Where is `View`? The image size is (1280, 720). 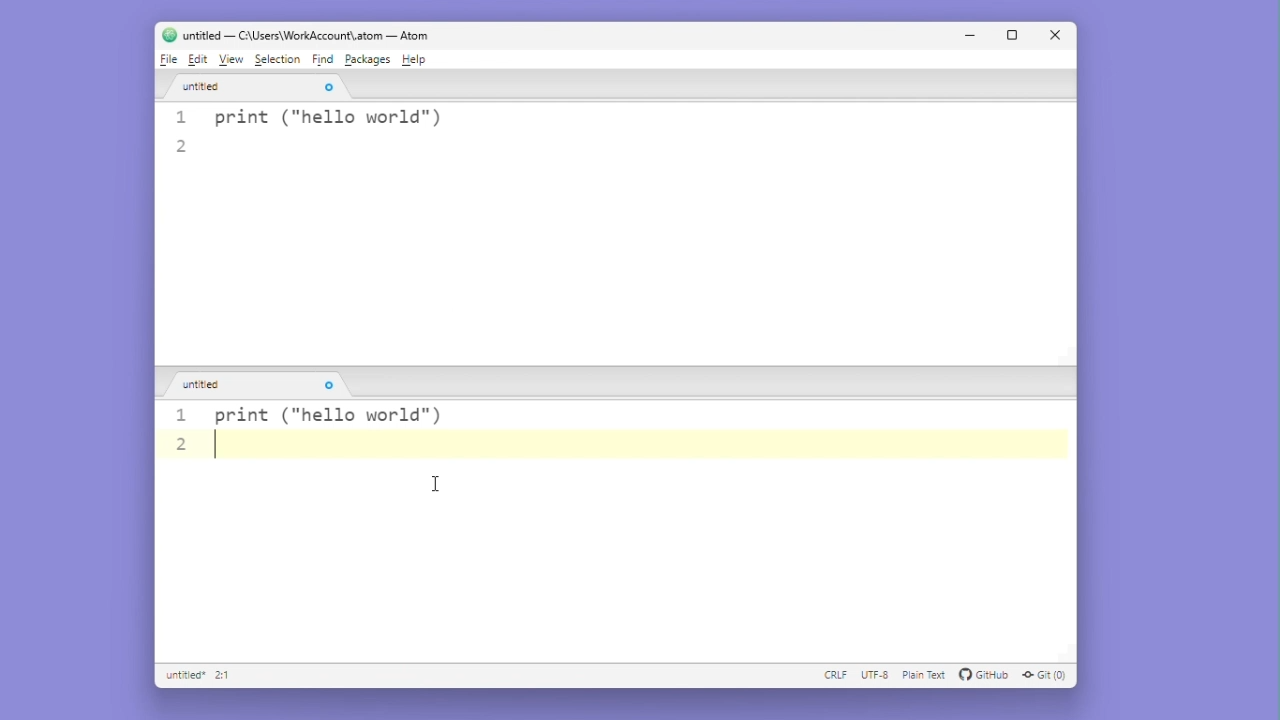
View is located at coordinates (233, 60).